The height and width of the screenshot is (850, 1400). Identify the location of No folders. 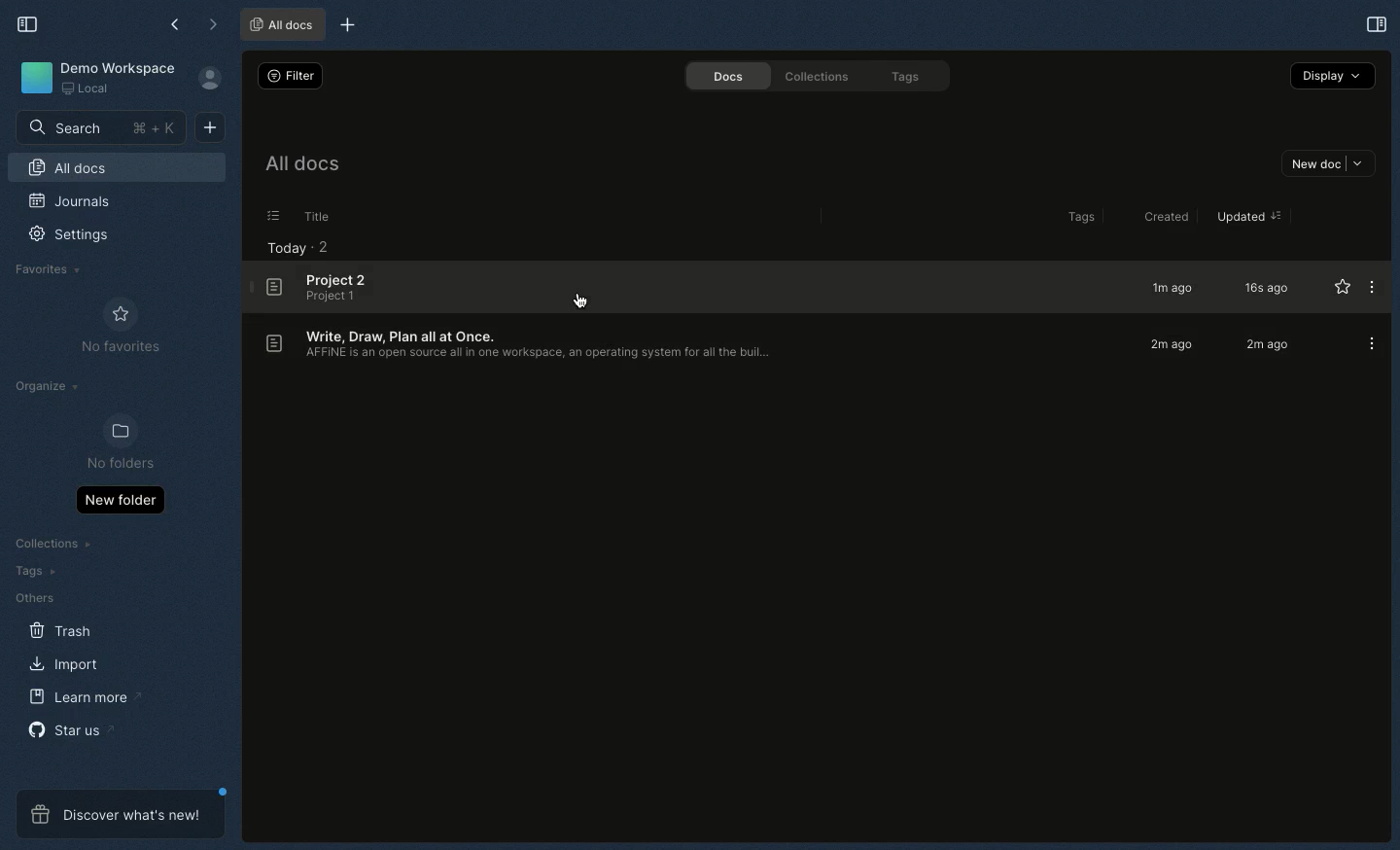
(122, 442).